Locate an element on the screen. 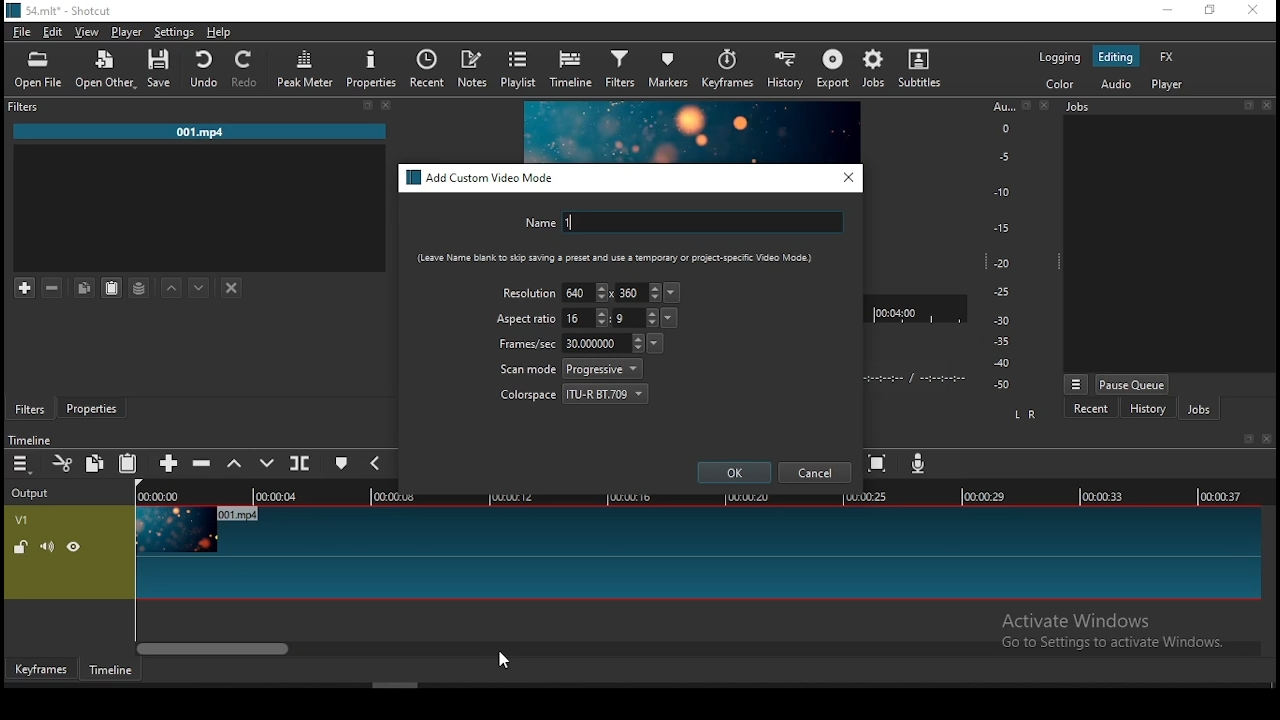 Image resolution: width=1280 pixels, height=720 pixels. (Leave Name blank to skip saving a preset and Use a temporary or Project-specific Video Mode) is located at coordinates (619, 257).